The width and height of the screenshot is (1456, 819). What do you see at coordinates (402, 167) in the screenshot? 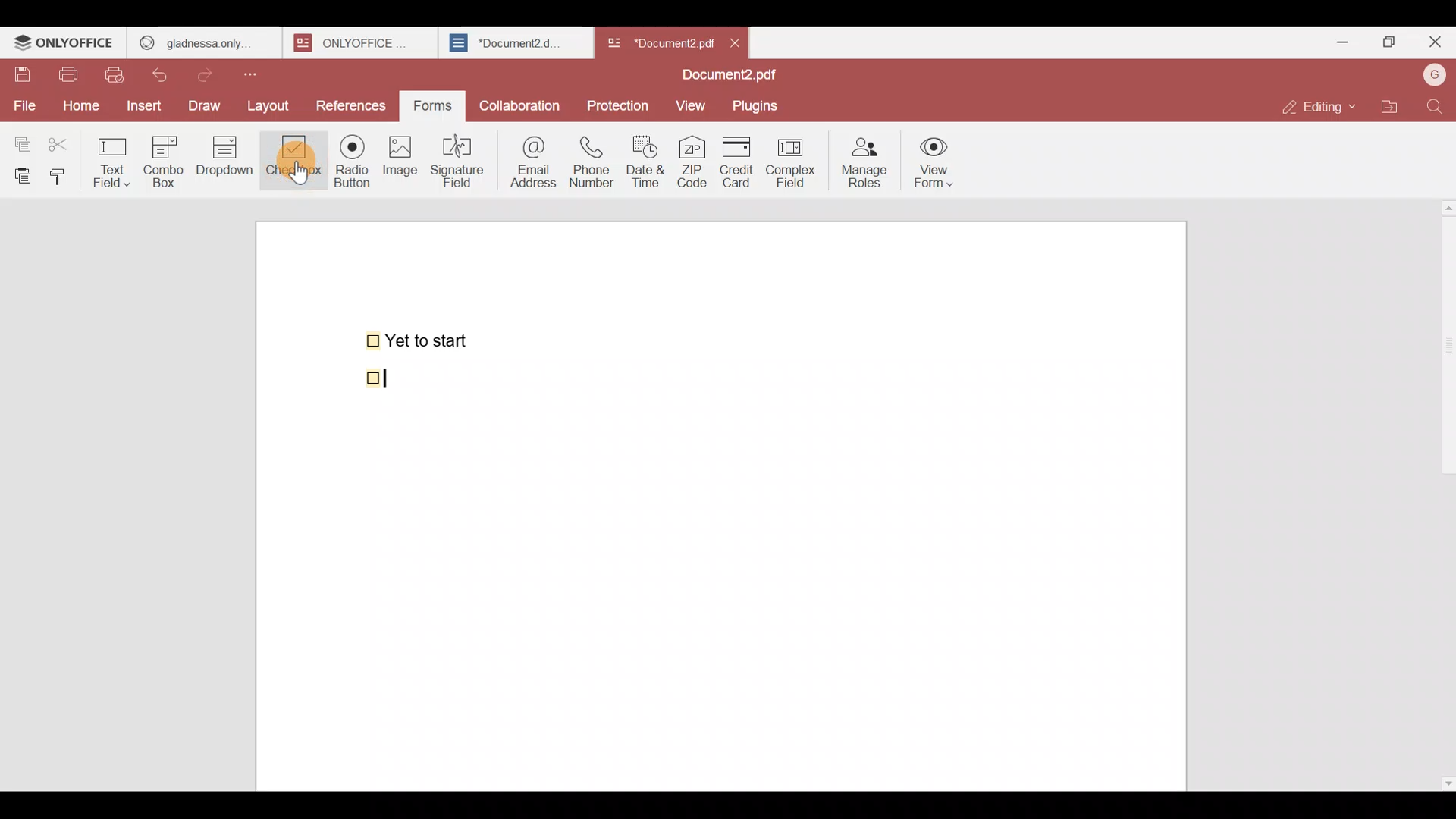
I see `Image` at bounding box center [402, 167].